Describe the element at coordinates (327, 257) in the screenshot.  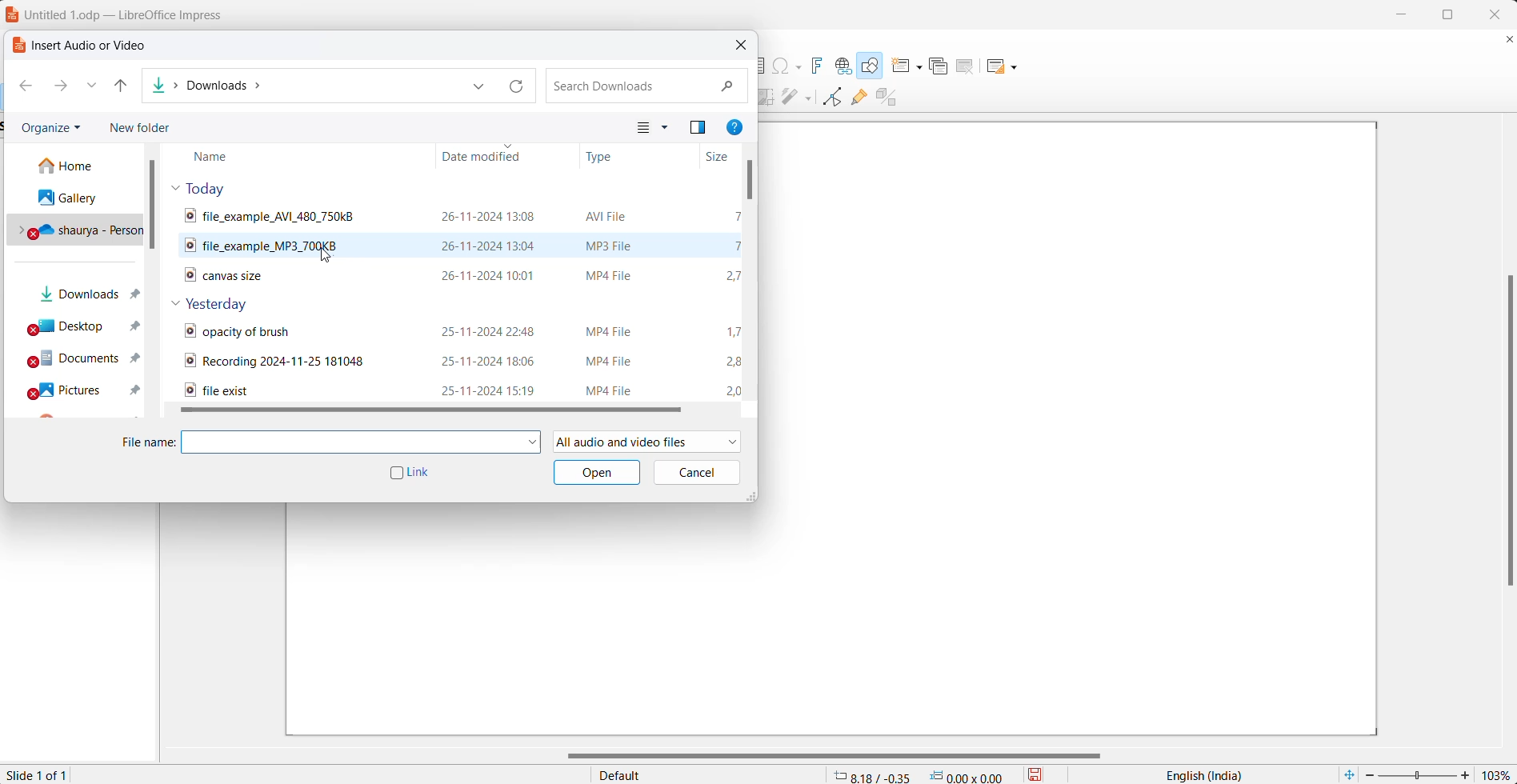
I see `cursor` at that location.